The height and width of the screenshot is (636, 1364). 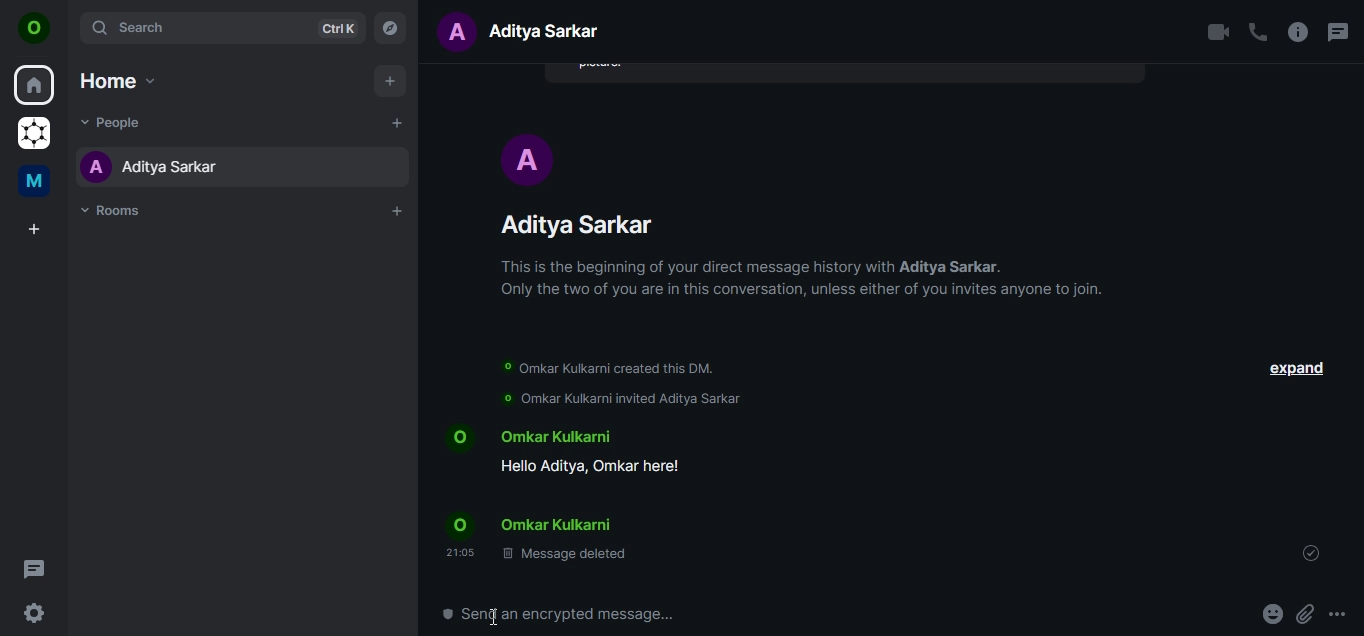 What do you see at coordinates (1340, 35) in the screenshot?
I see `threads` at bounding box center [1340, 35].